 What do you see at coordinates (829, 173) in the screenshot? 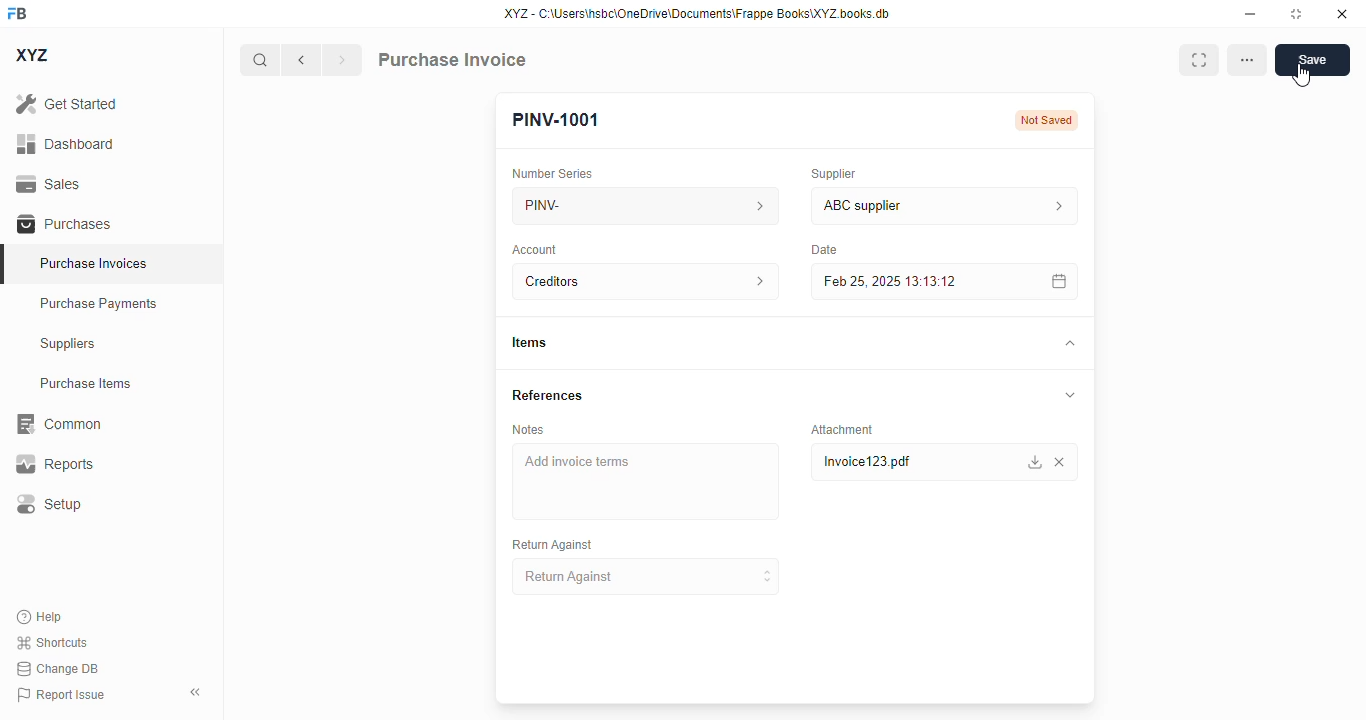
I see `supplier` at bounding box center [829, 173].